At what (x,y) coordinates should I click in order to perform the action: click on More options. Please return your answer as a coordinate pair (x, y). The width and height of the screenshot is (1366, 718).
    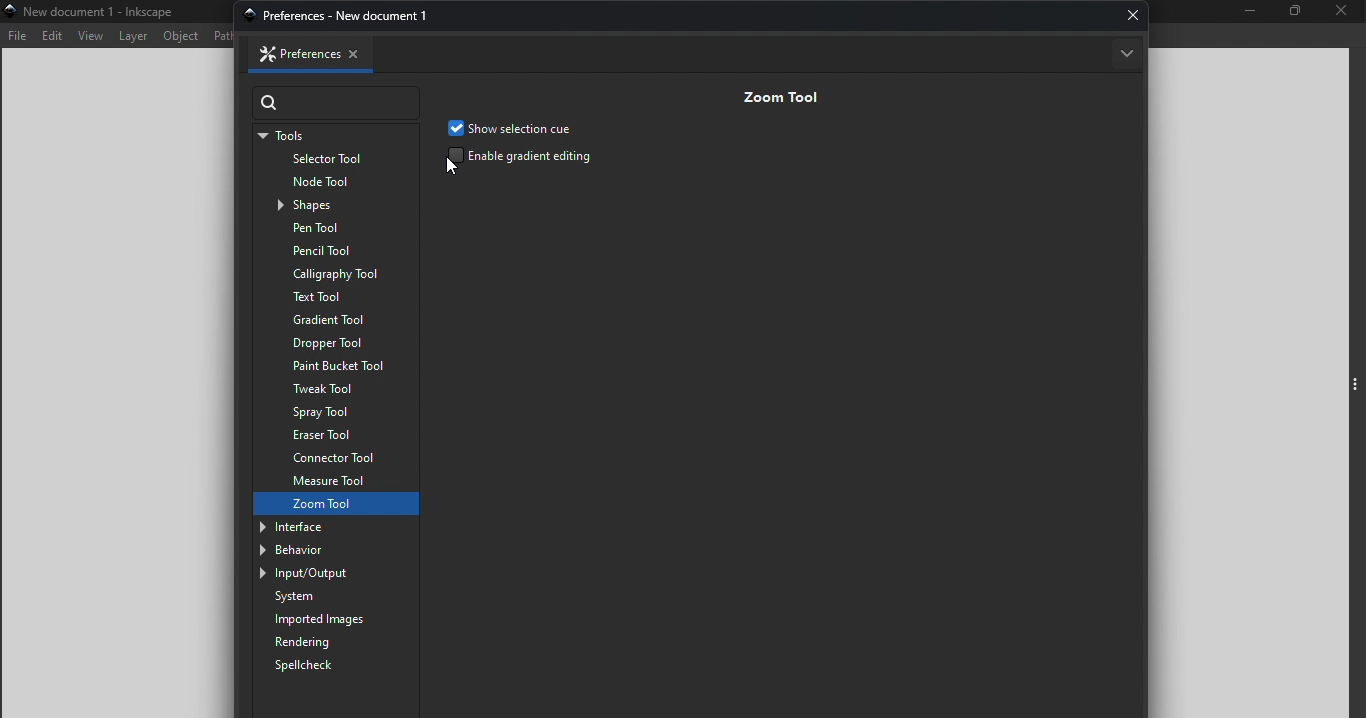
    Looking at the image, I should click on (1128, 53).